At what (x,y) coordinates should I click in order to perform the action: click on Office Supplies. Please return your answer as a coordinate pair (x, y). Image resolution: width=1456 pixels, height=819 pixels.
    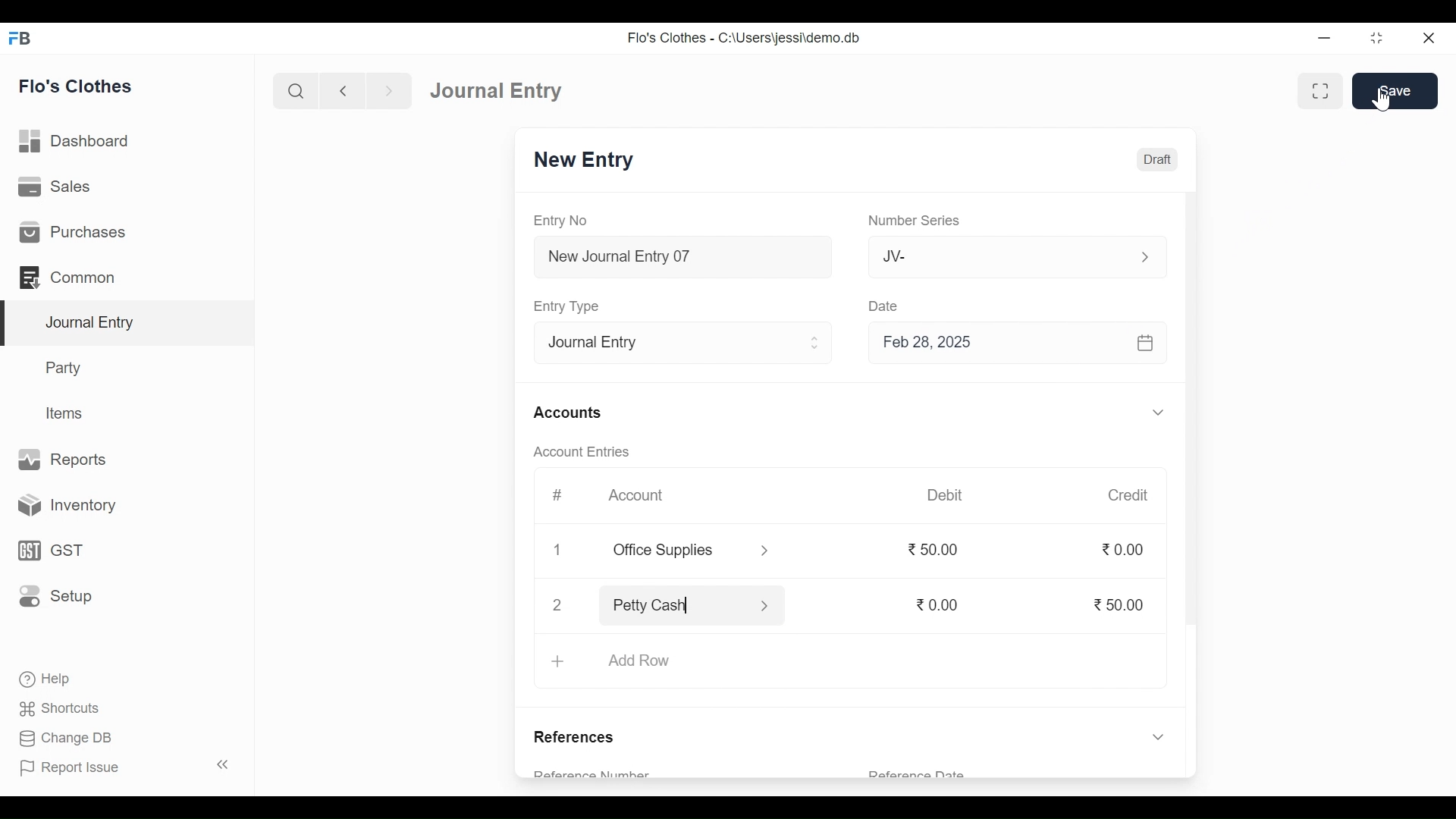
    Looking at the image, I should click on (674, 551).